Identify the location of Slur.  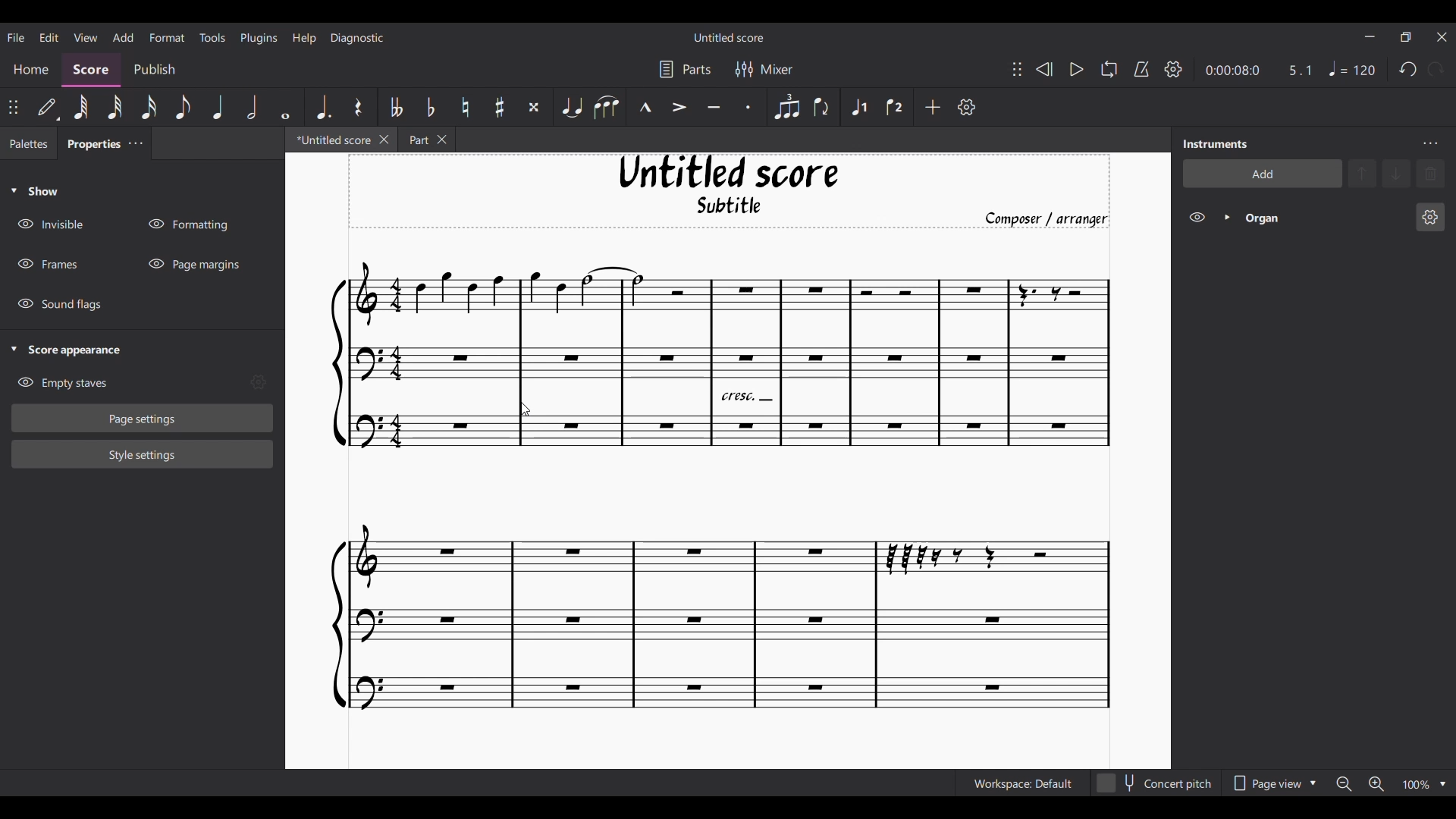
(606, 107).